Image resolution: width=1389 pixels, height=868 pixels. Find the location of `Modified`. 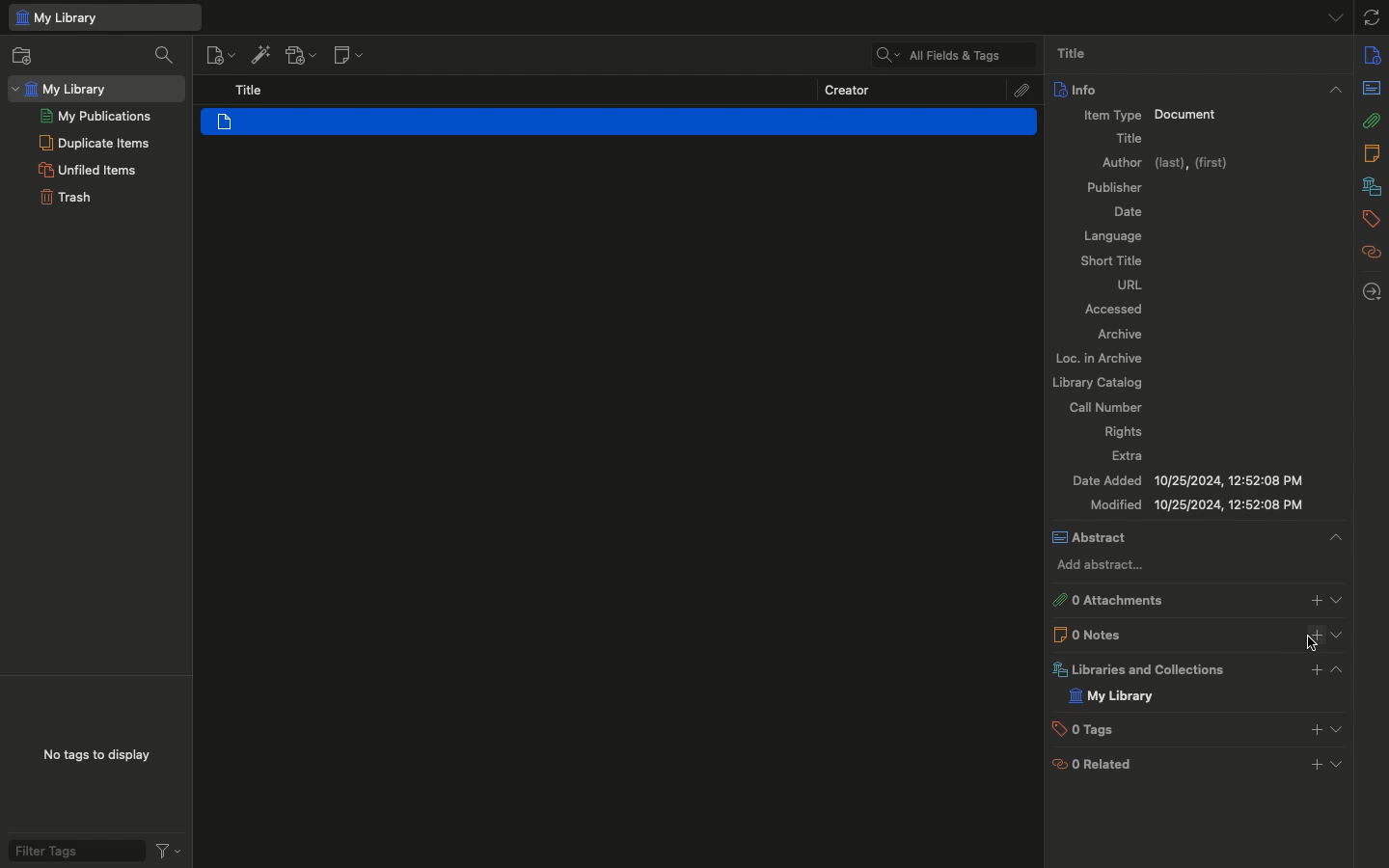

Modified is located at coordinates (1198, 505).